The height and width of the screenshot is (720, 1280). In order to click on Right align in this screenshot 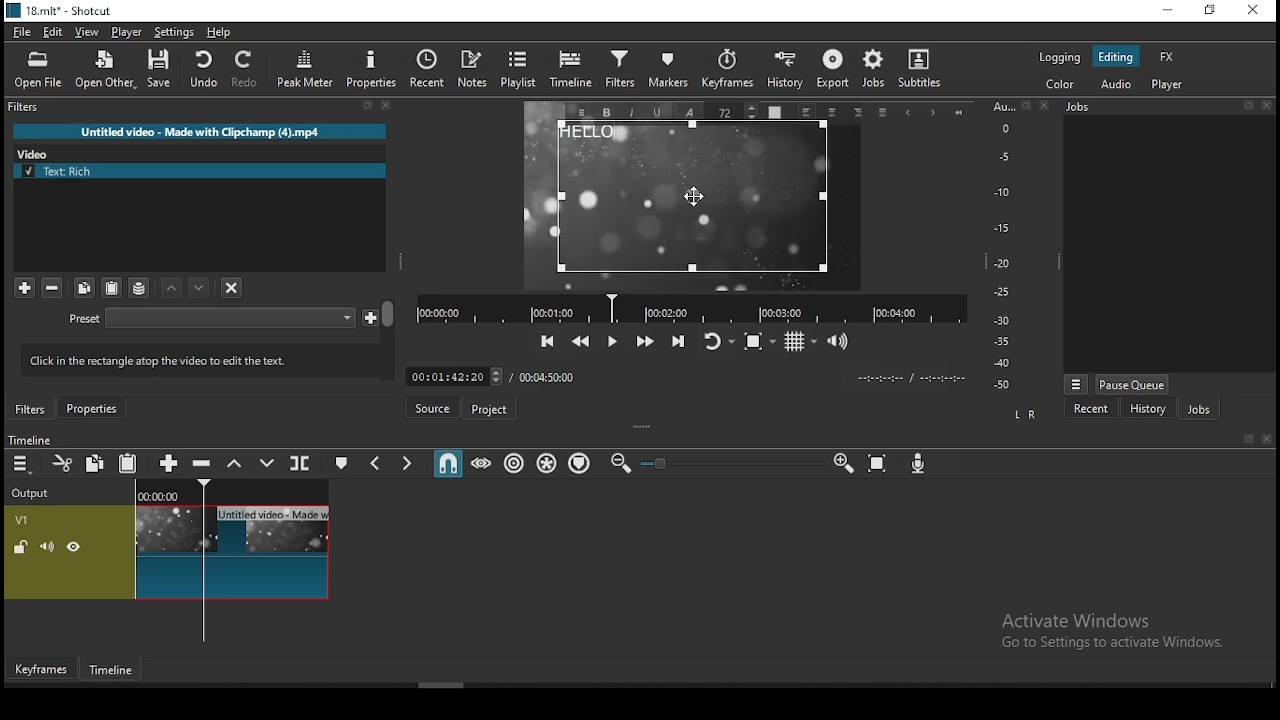, I will do `click(858, 112)`.